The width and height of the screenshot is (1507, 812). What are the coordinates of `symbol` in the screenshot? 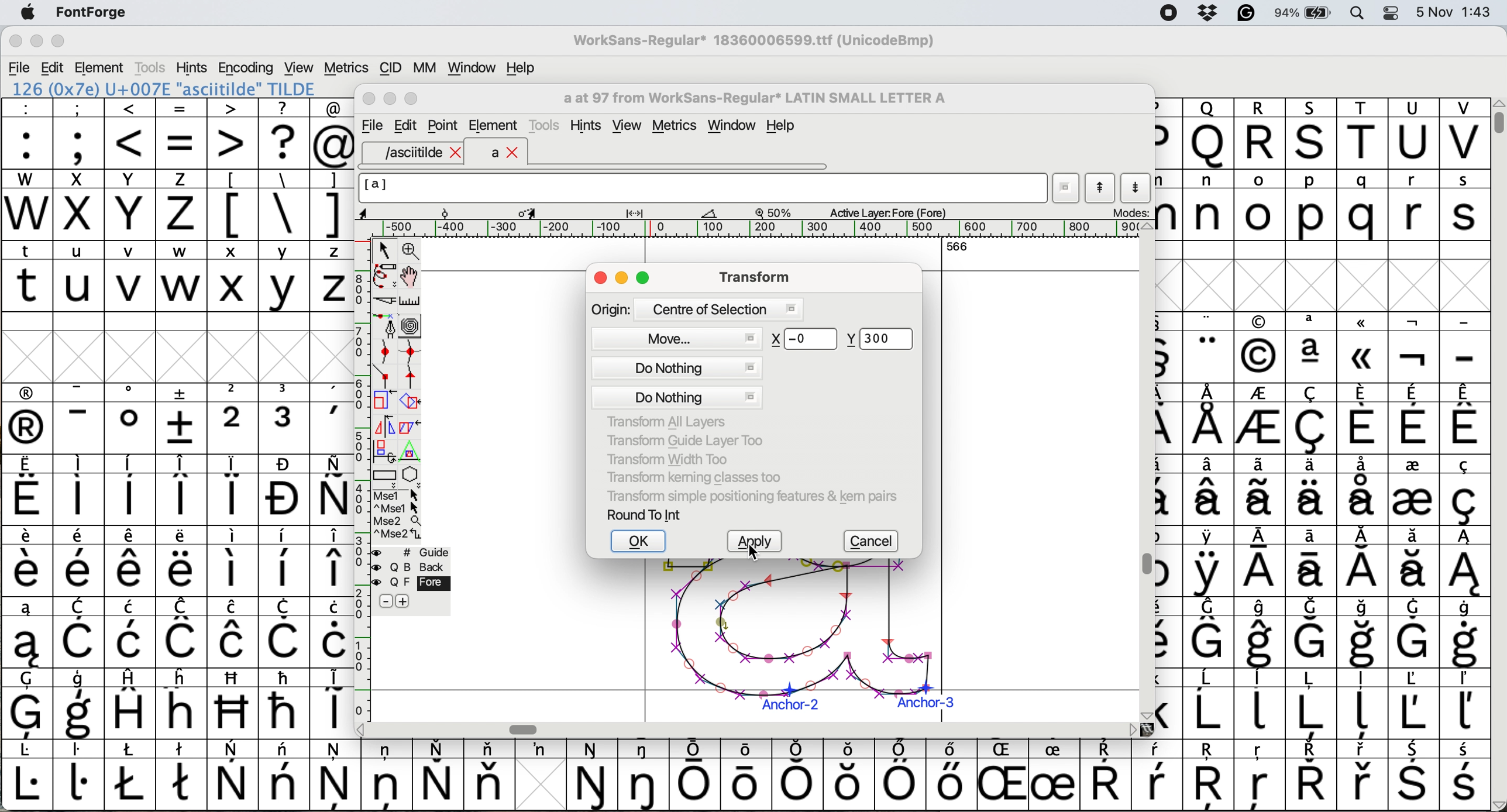 It's located at (183, 490).